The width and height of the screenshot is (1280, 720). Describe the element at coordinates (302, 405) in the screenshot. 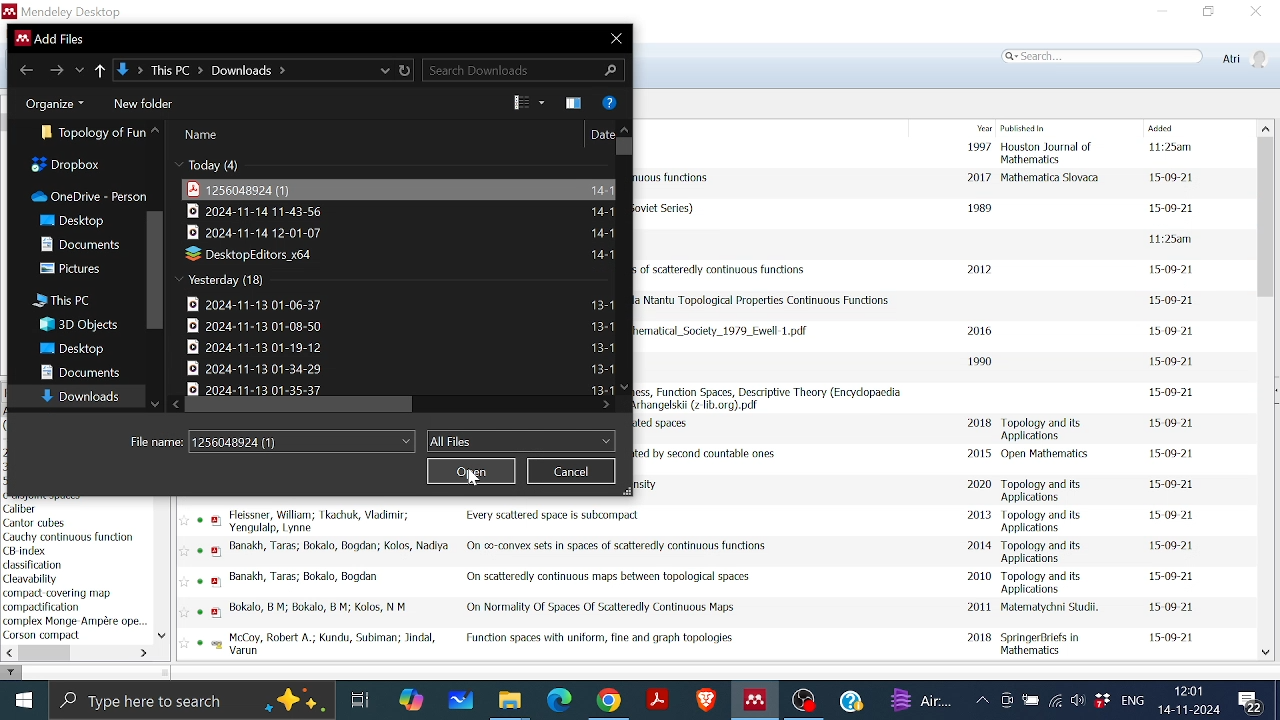

I see `Horizontal scrollbar for all files` at that location.